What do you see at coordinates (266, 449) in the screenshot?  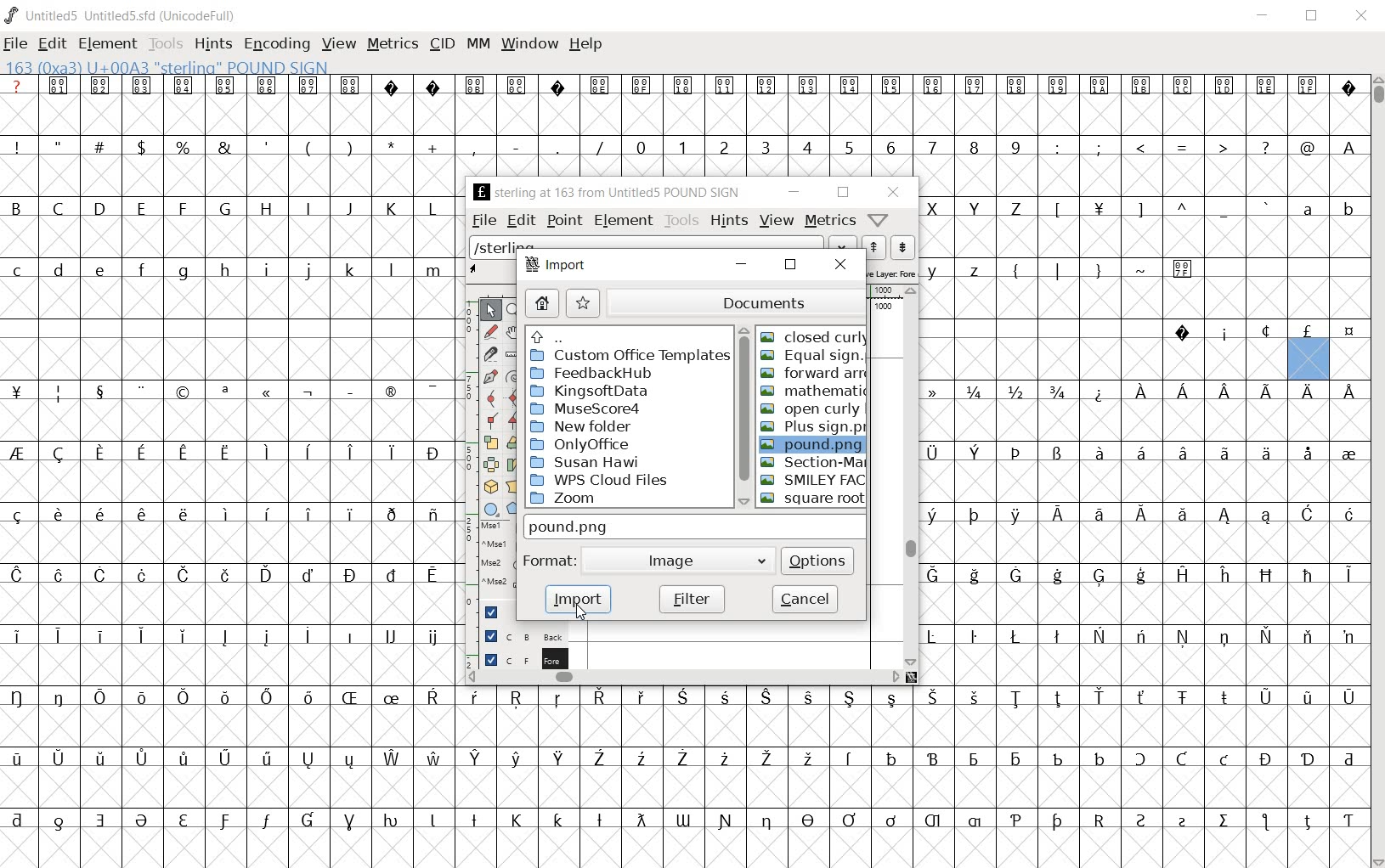 I see `Symbol` at bounding box center [266, 449].